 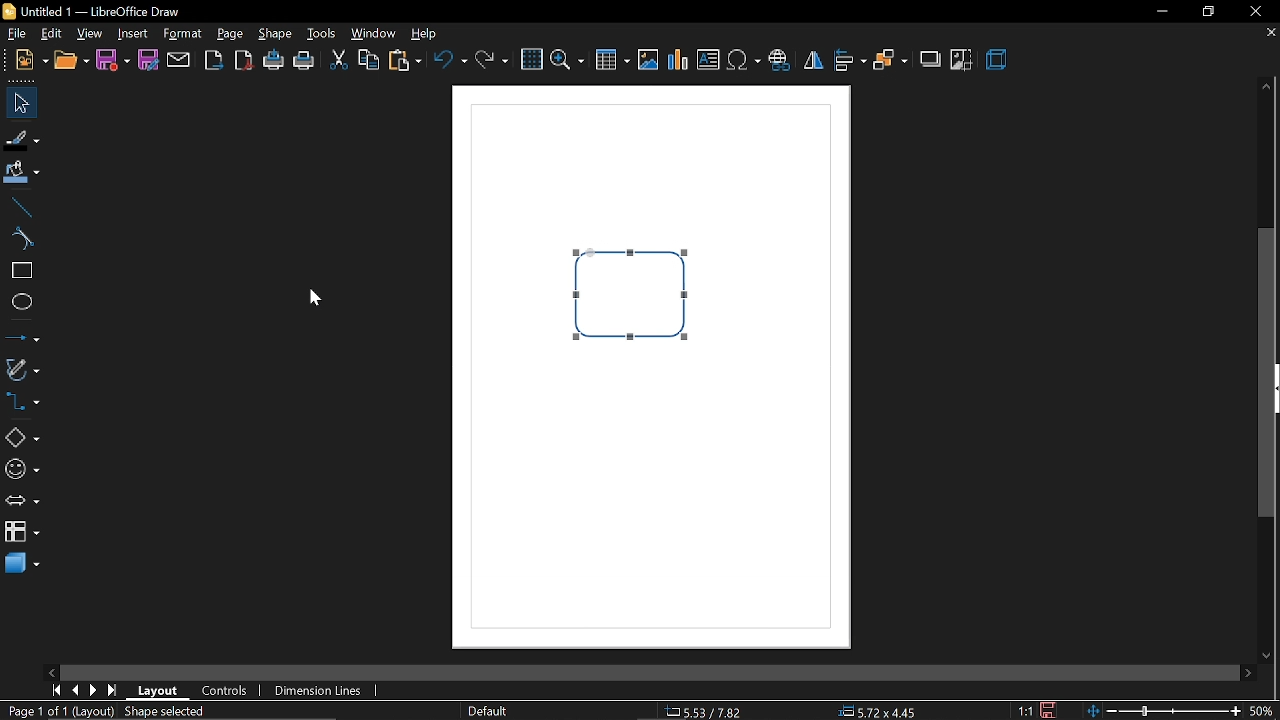 What do you see at coordinates (230, 692) in the screenshot?
I see `controls` at bounding box center [230, 692].